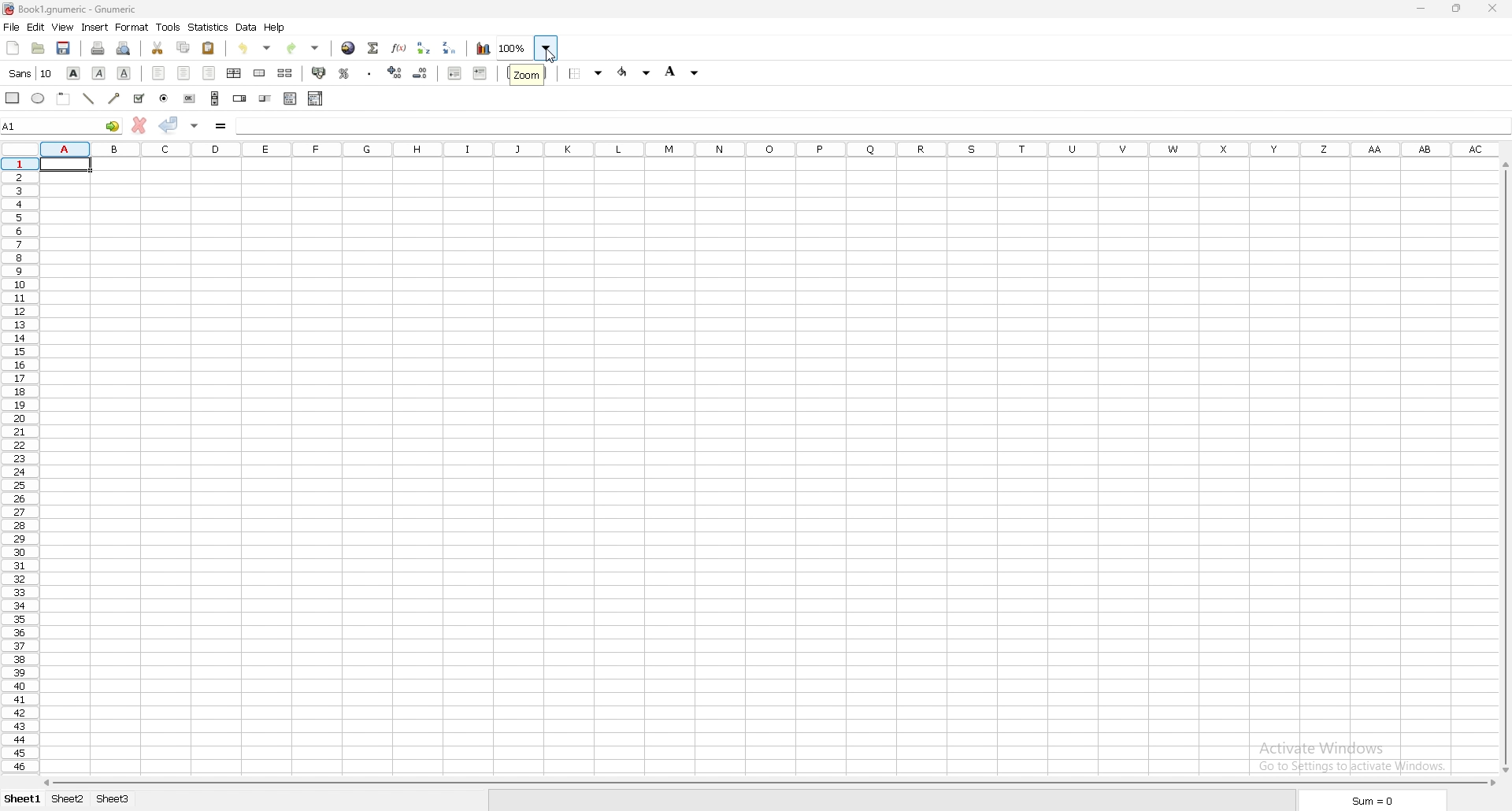  Describe the element at coordinates (266, 48) in the screenshot. I see `Drop down` at that location.